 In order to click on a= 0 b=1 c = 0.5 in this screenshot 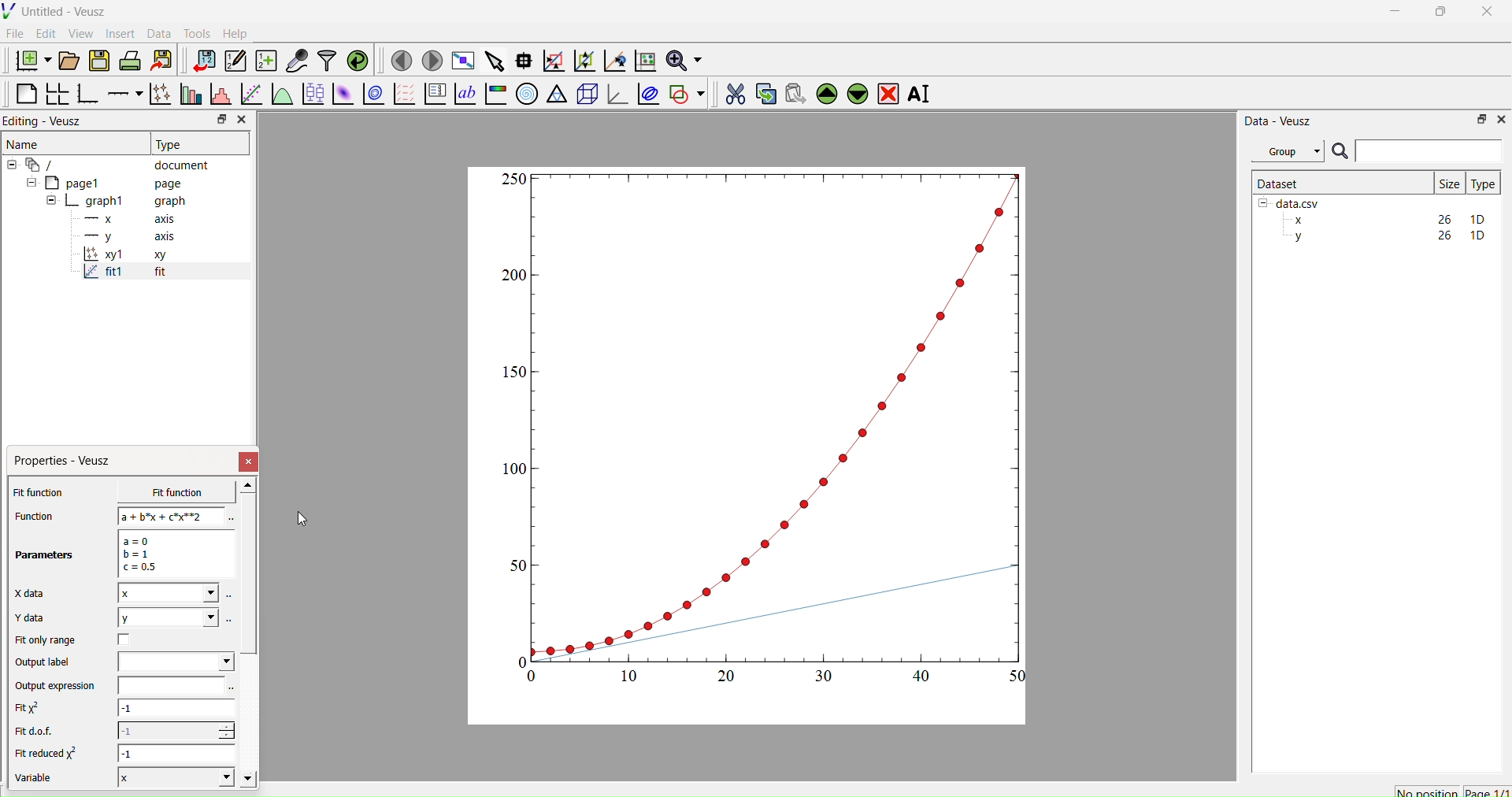, I will do `click(173, 554)`.